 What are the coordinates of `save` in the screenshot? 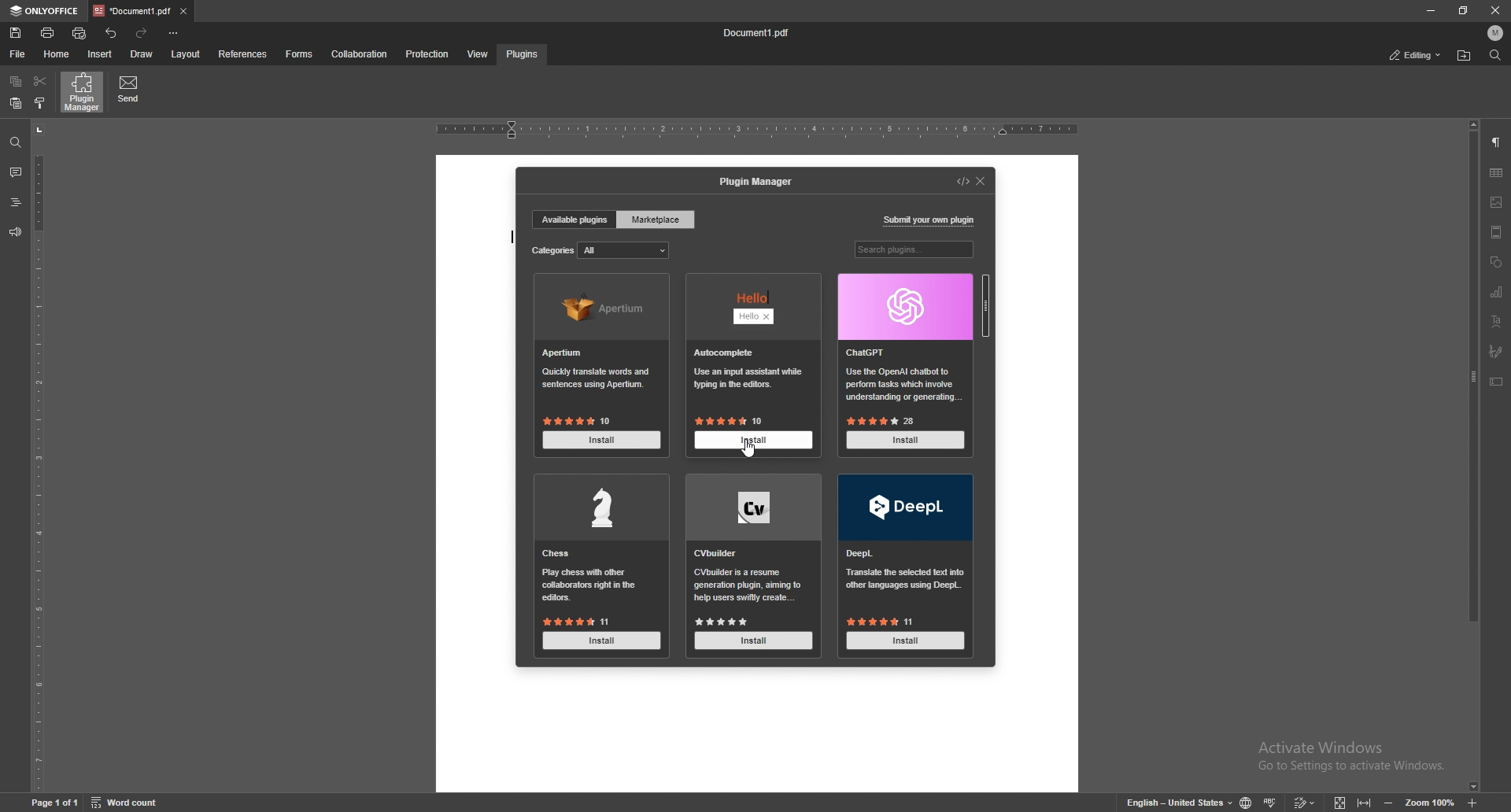 It's located at (16, 33).